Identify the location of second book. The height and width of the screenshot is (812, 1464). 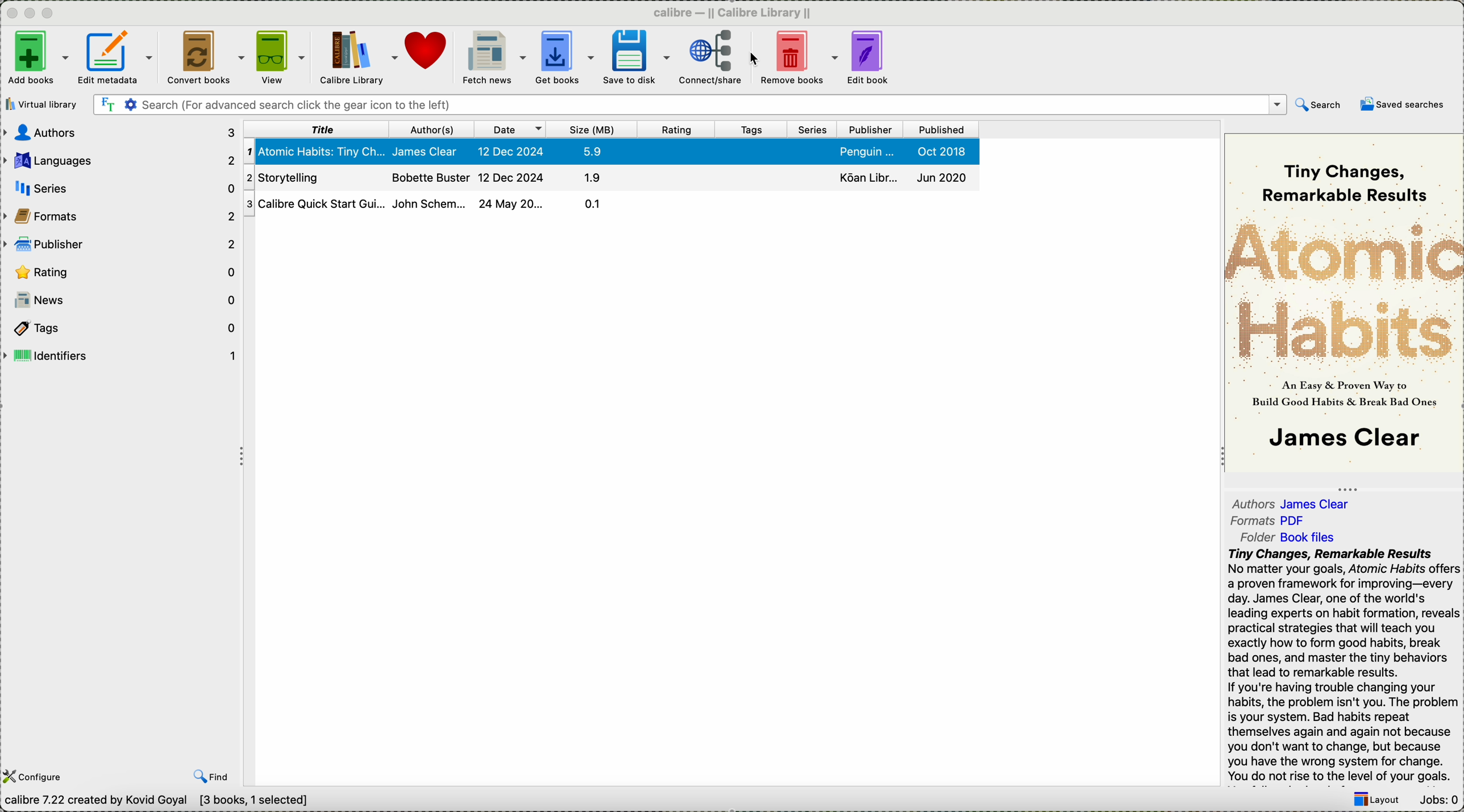
(608, 177).